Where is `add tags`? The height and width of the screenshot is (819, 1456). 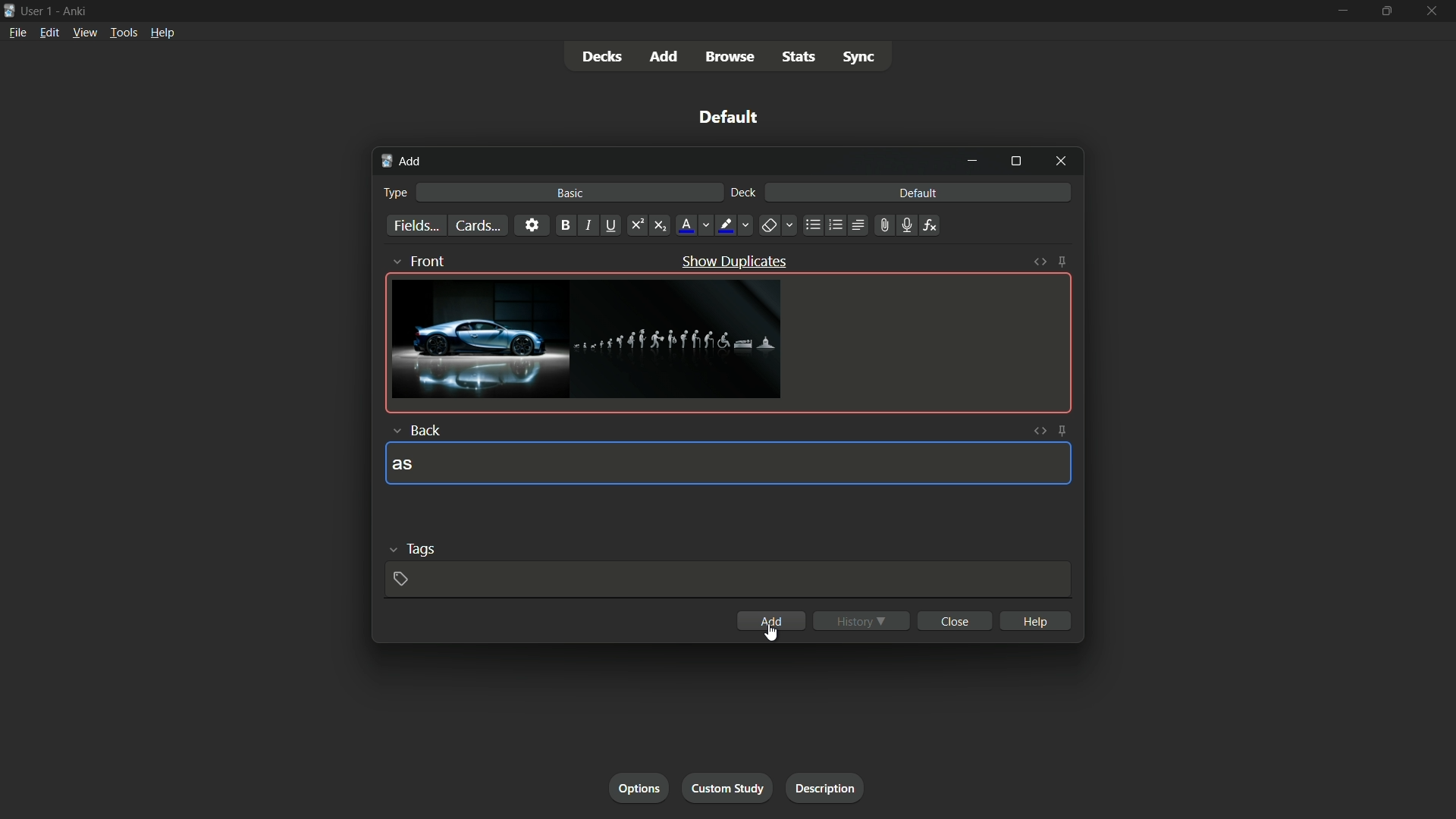 add tags is located at coordinates (403, 580).